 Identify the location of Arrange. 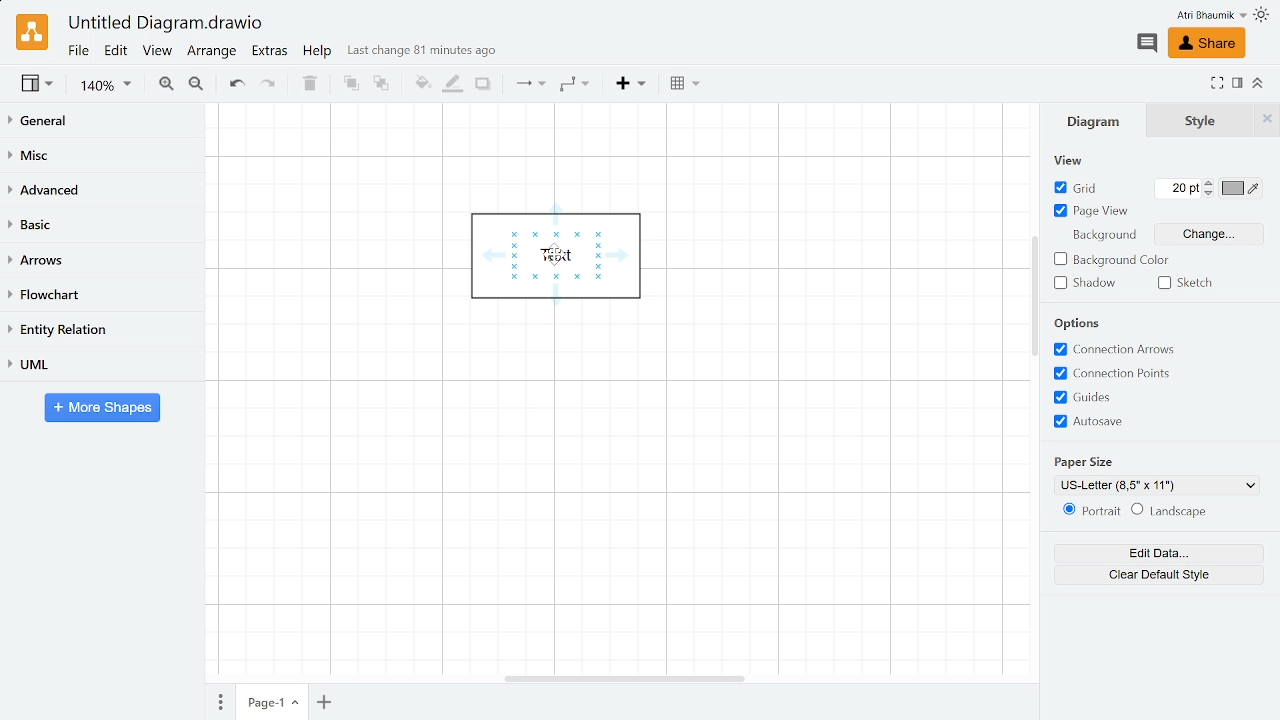
(213, 53).